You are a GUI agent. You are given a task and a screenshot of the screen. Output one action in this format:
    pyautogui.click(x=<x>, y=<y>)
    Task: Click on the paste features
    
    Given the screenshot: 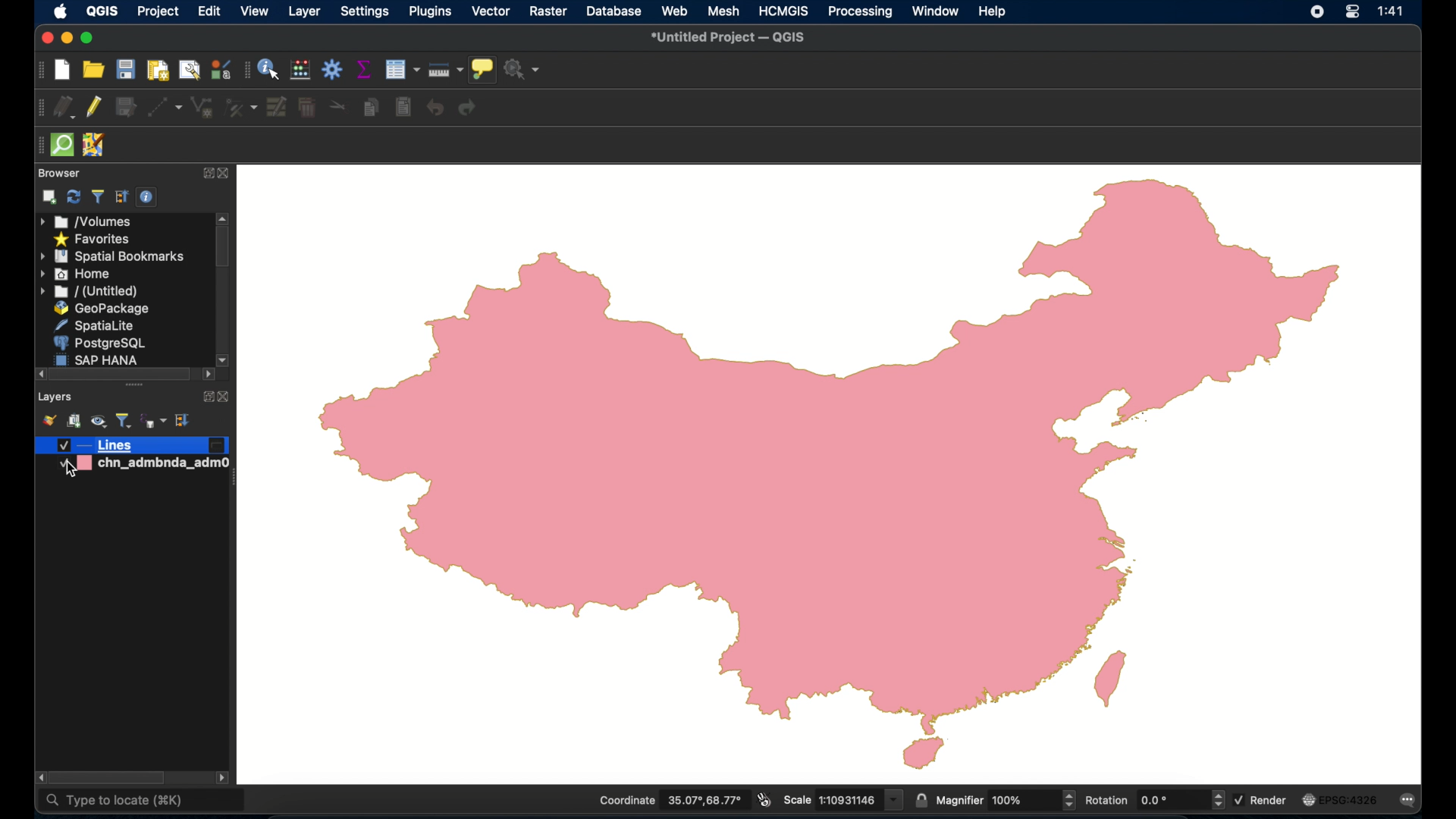 What is the action you would take?
    pyautogui.click(x=405, y=108)
    